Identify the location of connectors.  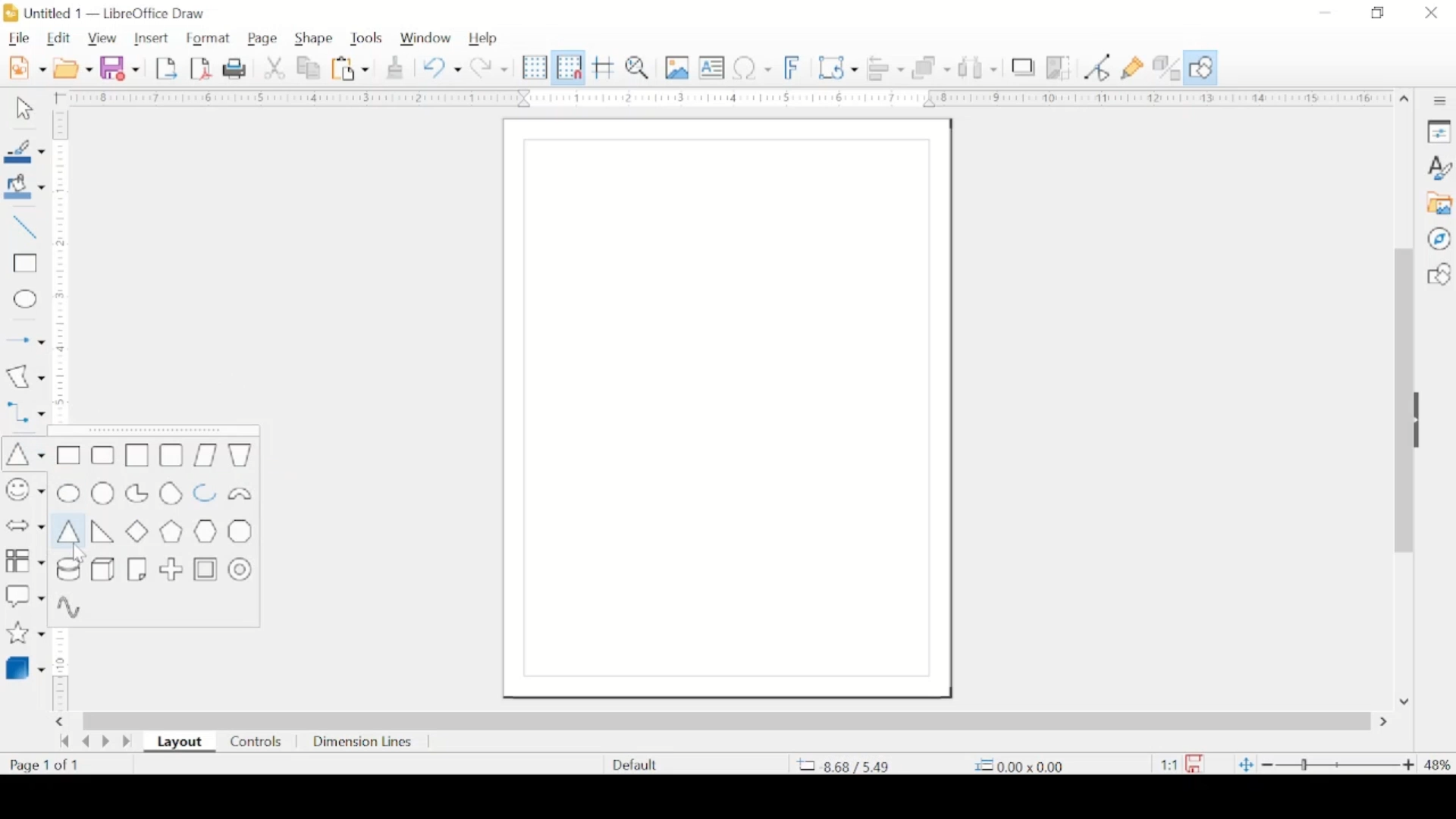
(24, 410).